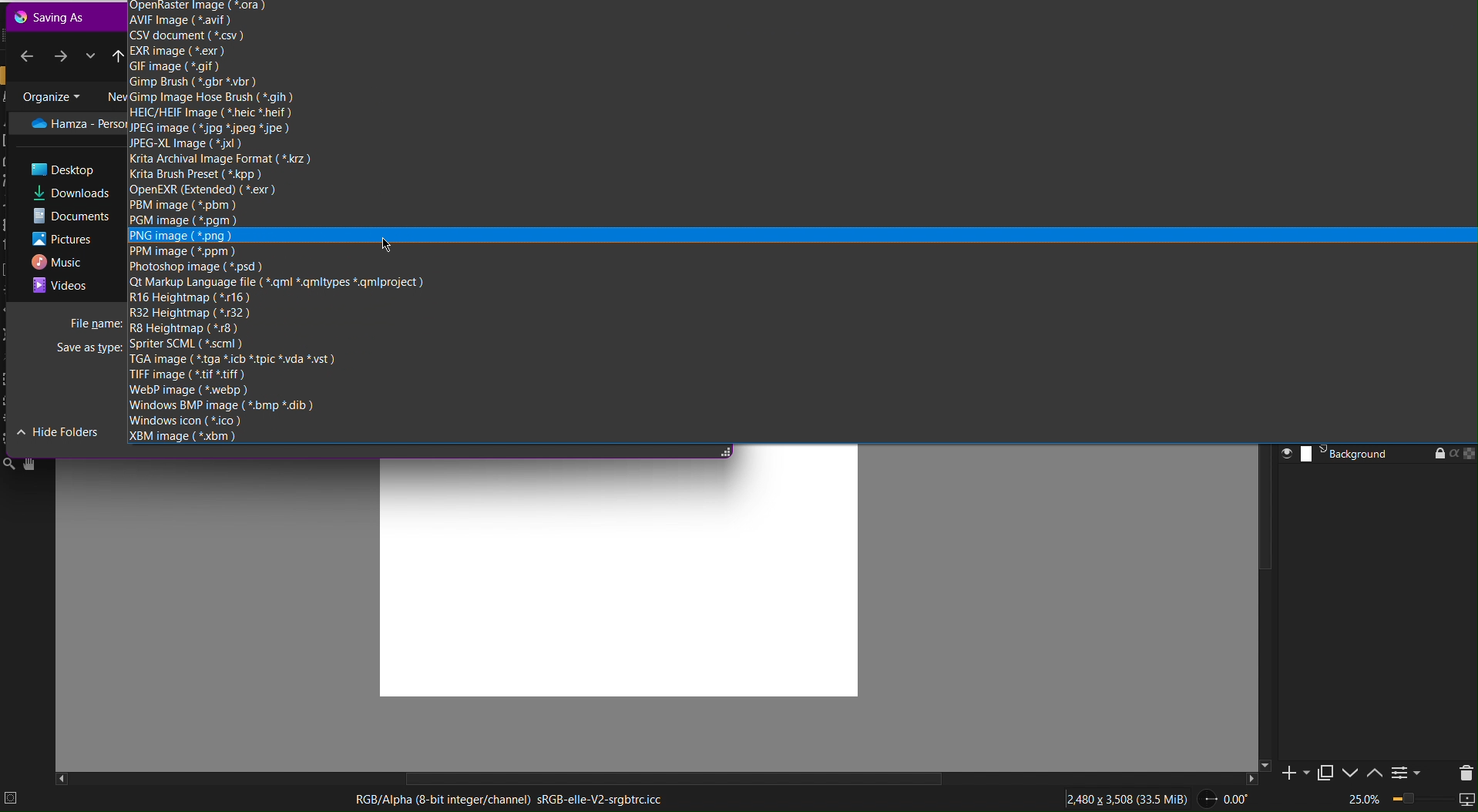 The image size is (1478, 812). What do you see at coordinates (331, 342) in the screenshot?
I see `Image type options` at bounding box center [331, 342].